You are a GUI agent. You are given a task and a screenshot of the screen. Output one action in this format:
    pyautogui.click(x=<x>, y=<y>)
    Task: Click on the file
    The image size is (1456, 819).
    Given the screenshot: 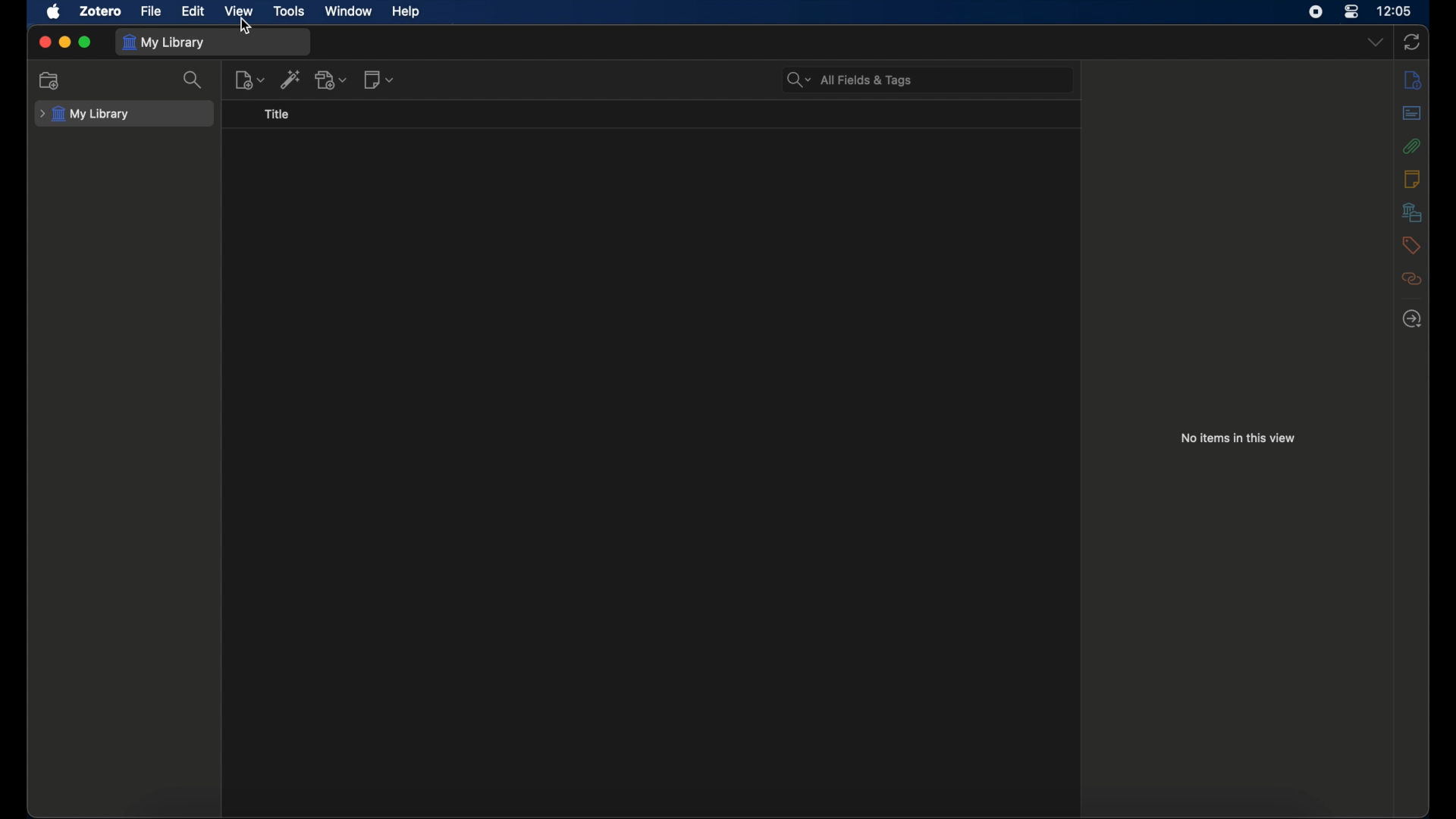 What is the action you would take?
    pyautogui.click(x=150, y=11)
    